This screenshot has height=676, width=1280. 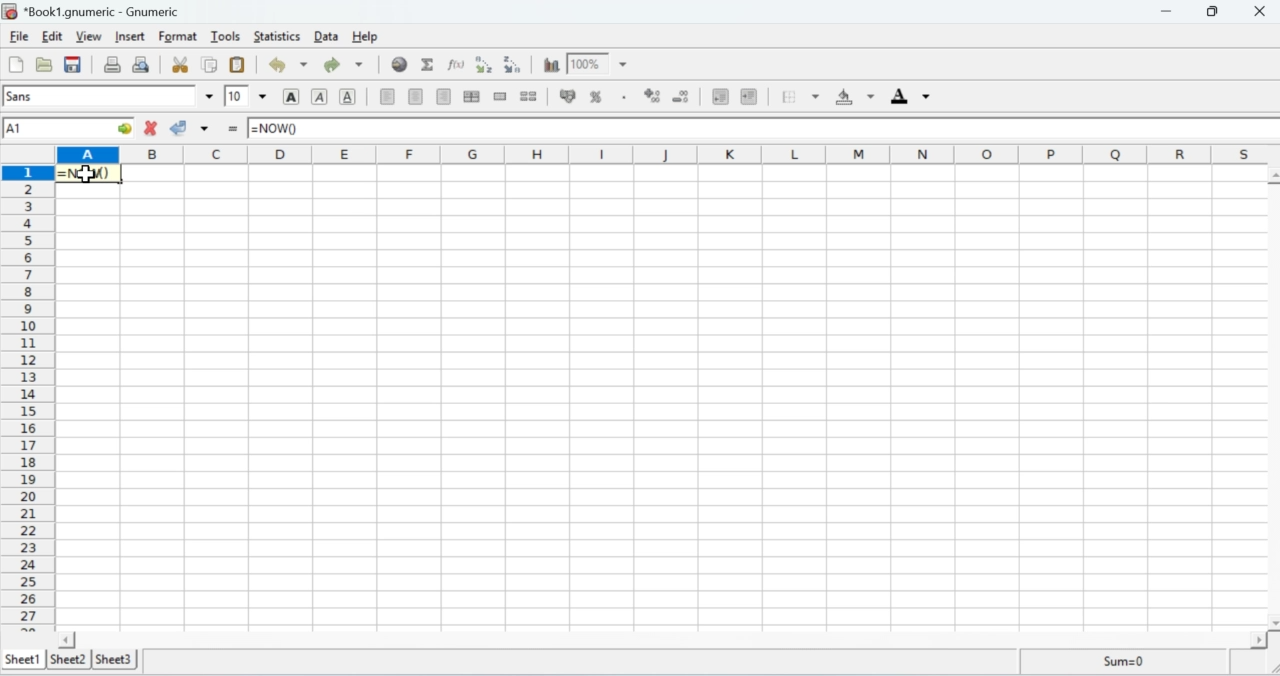 What do you see at coordinates (484, 65) in the screenshot?
I see `Sort by ascending` at bounding box center [484, 65].